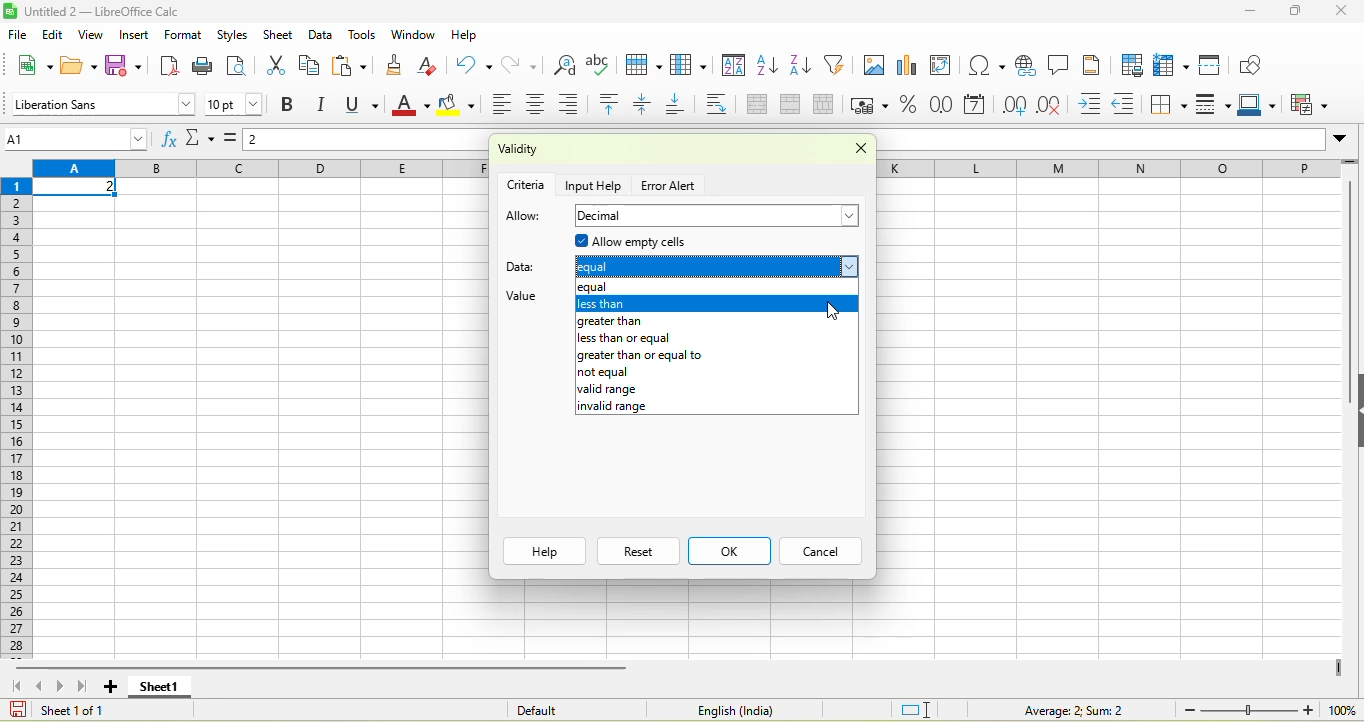 The image size is (1364, 722). What do you see at coordinates (1129, 106) in the screenshot?
I see `decrease indent` at bounding box center [1129, 106].